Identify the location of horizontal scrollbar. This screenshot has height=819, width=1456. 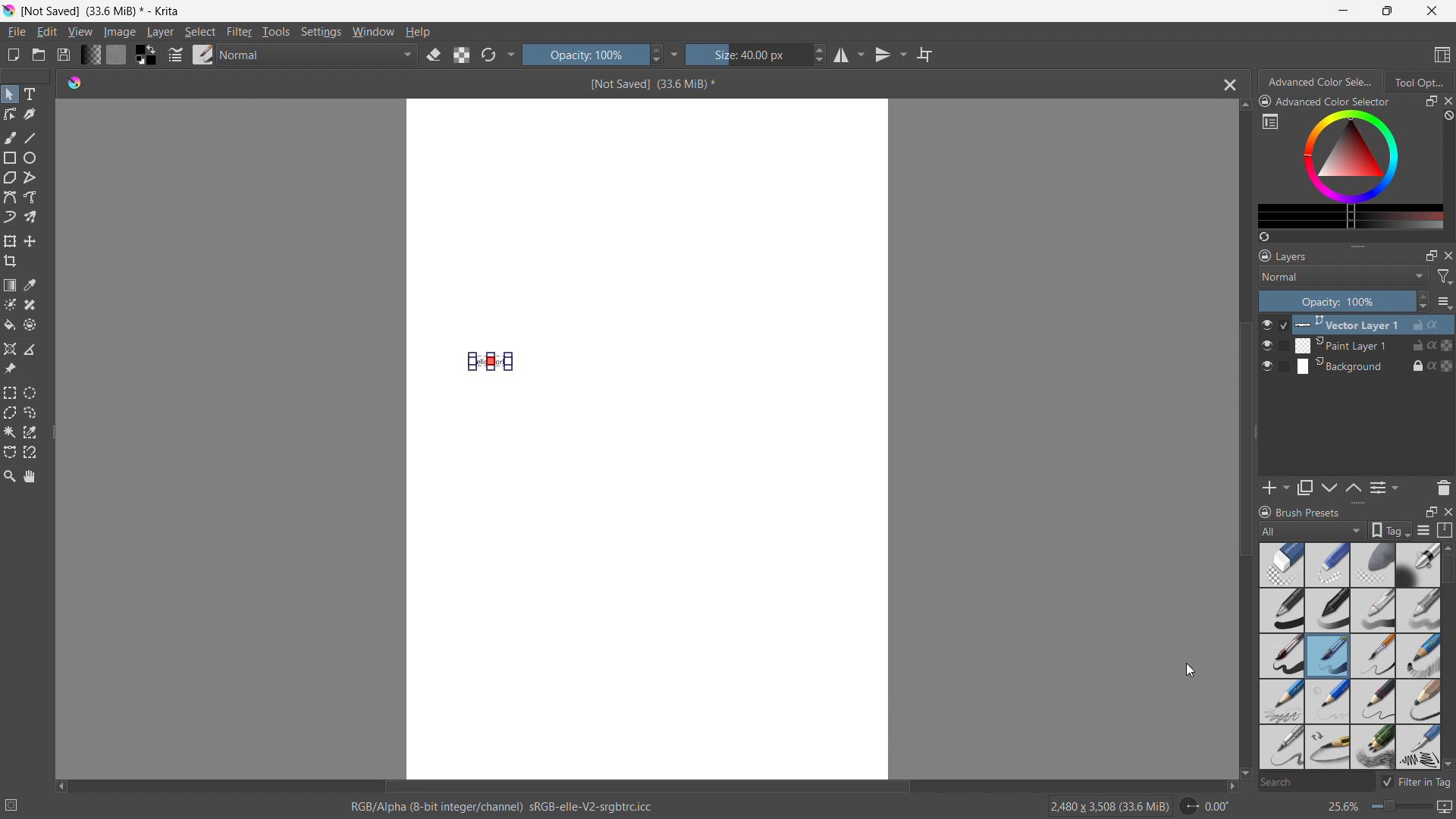
(646, 784).